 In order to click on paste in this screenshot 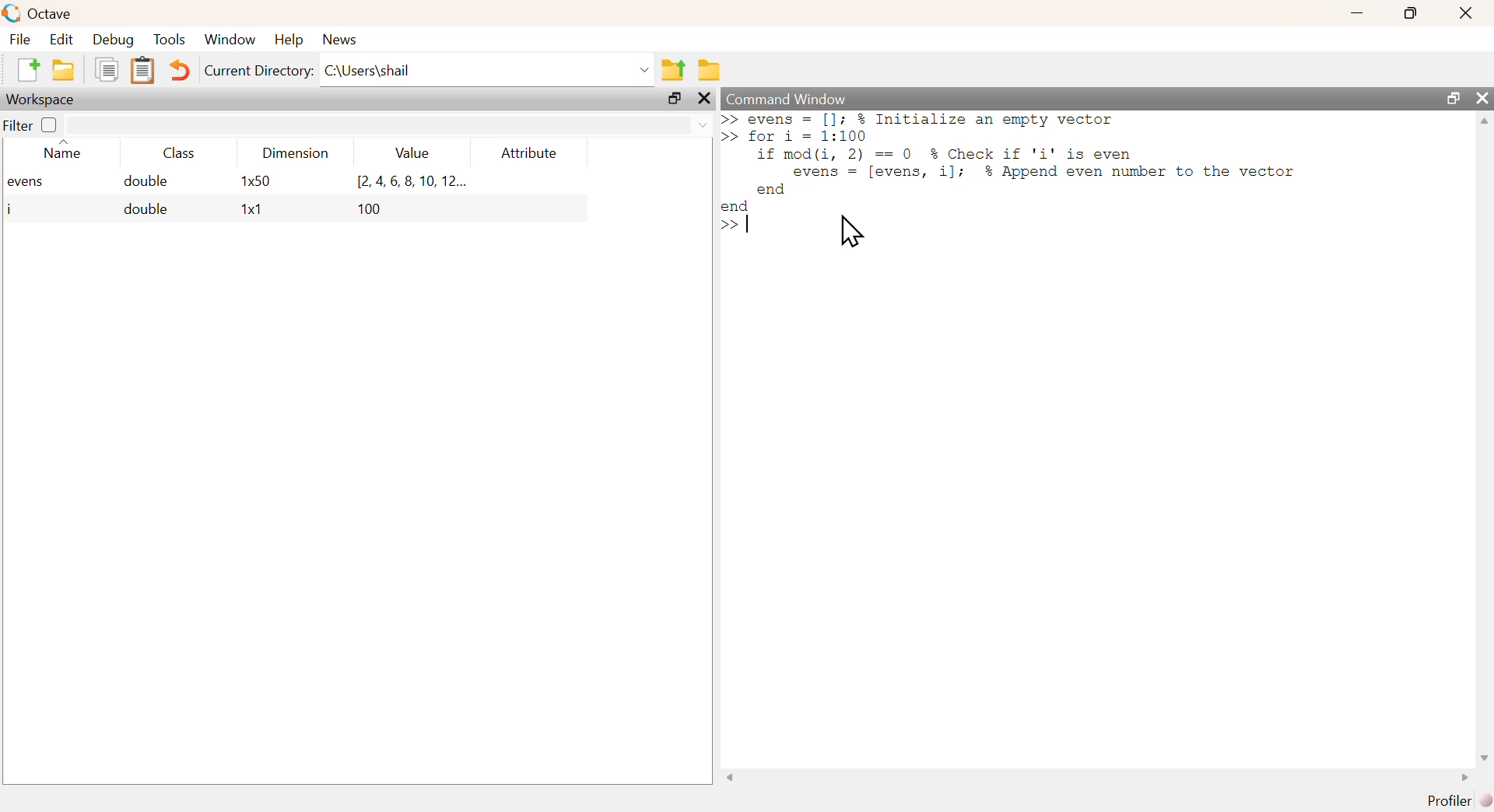, I will do `click(142, 71)`.